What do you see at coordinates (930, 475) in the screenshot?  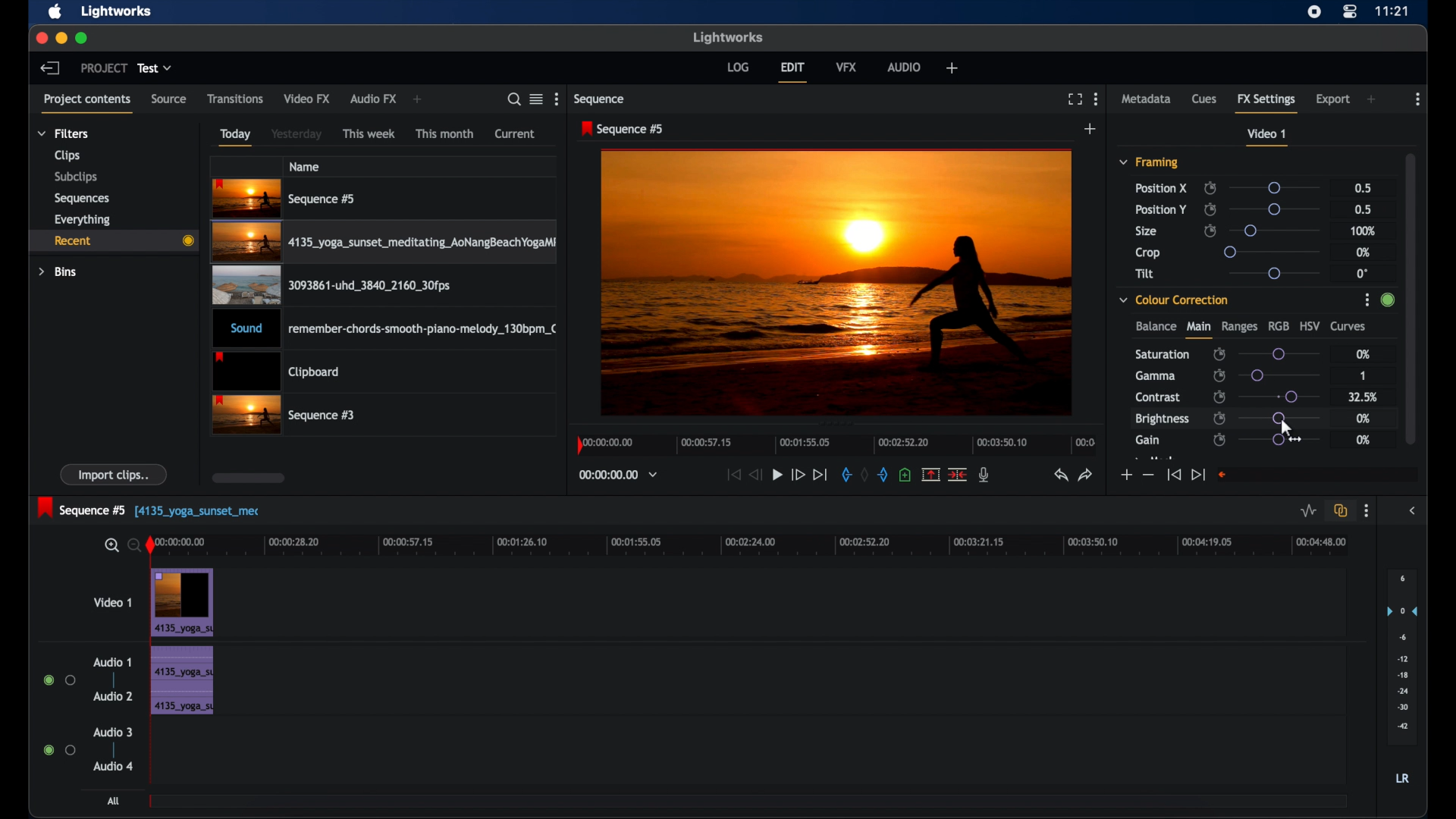 I see `remove the marked section` at bounding box center [930, 475].